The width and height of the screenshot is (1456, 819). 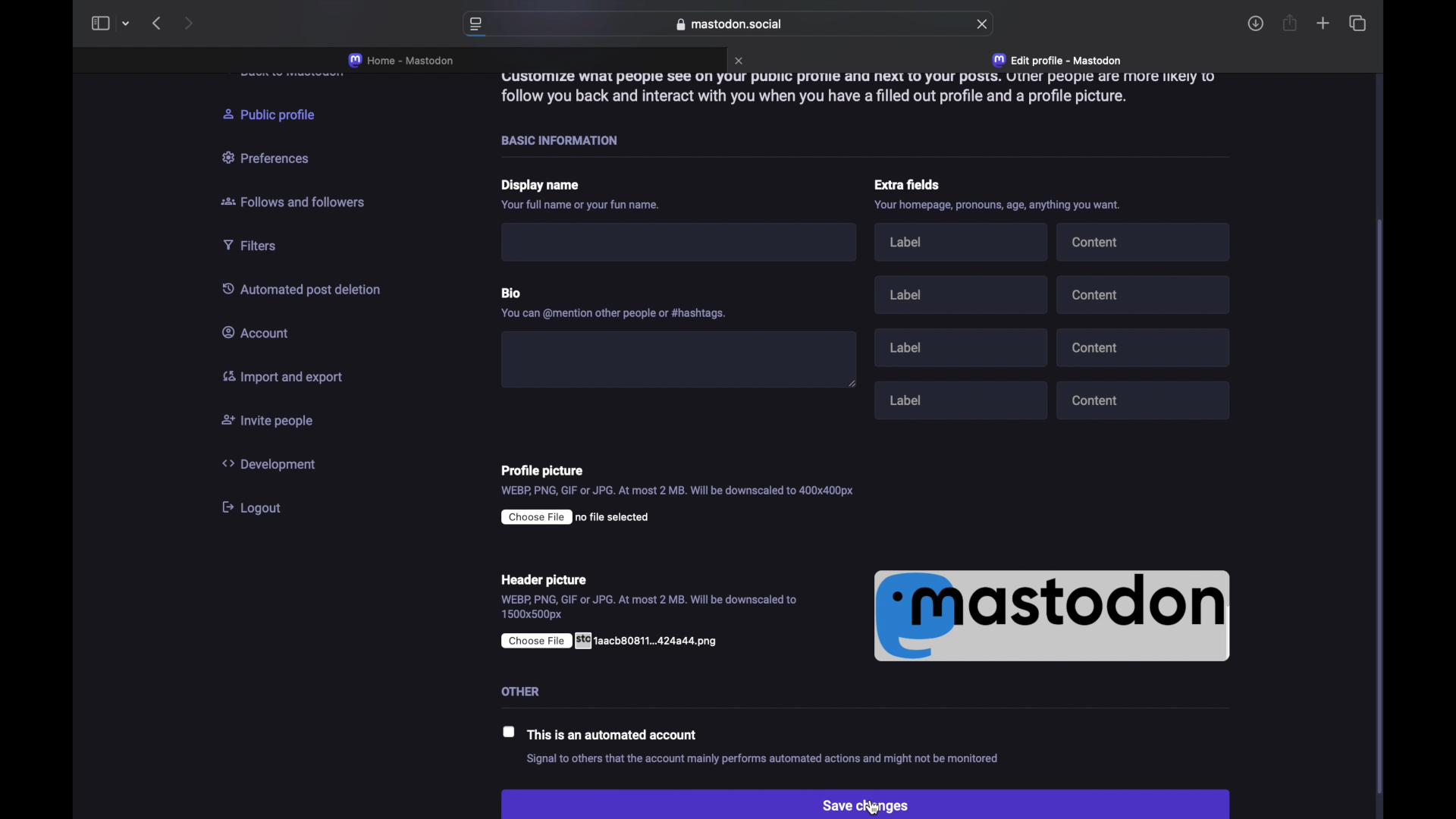 I want to click on This is an automated account, so click(x=616, y=734).